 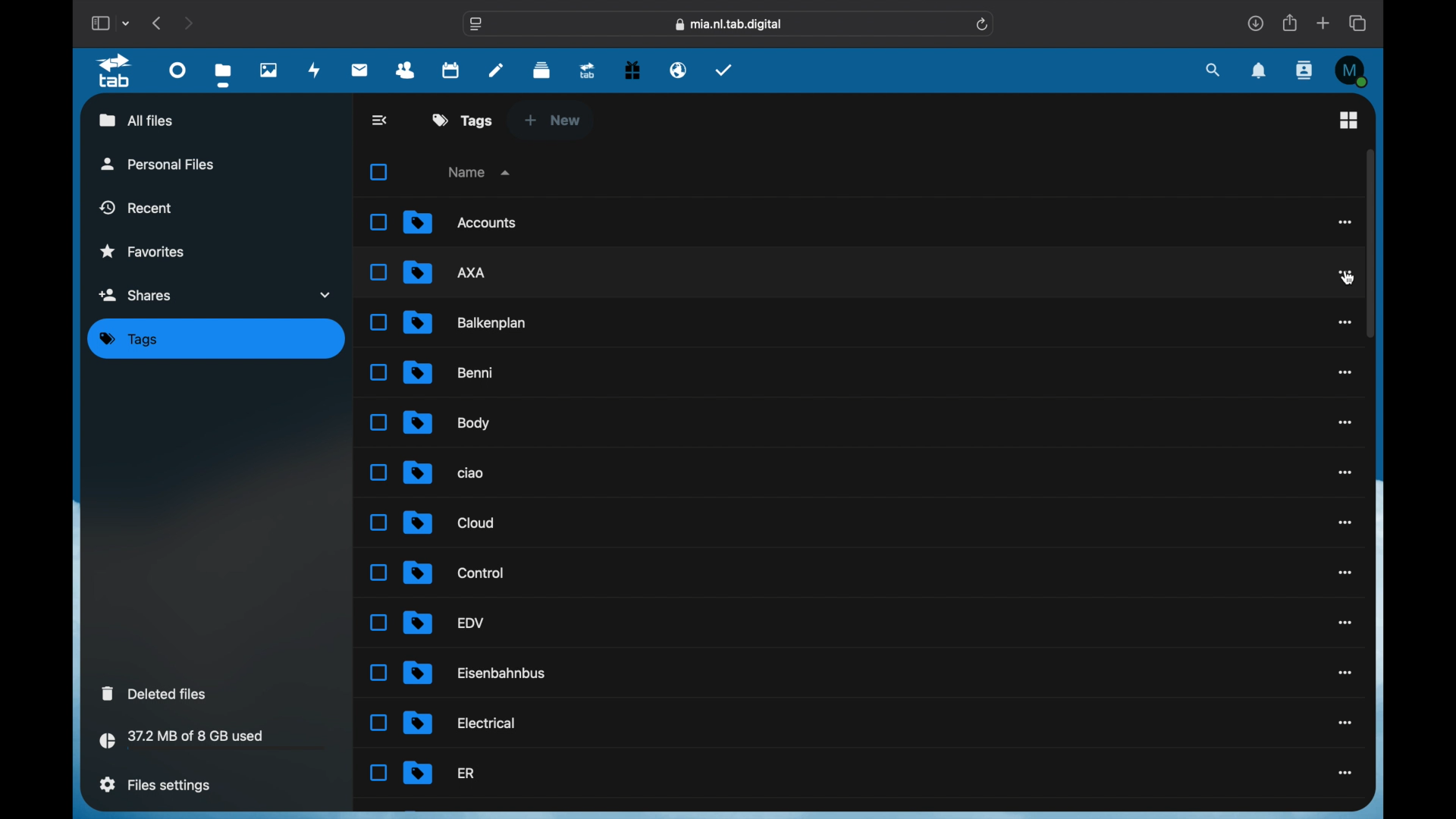 What do you see at coordinates (444, 622) in the screenshot?
I see `file` at bounding box center [444, 622].